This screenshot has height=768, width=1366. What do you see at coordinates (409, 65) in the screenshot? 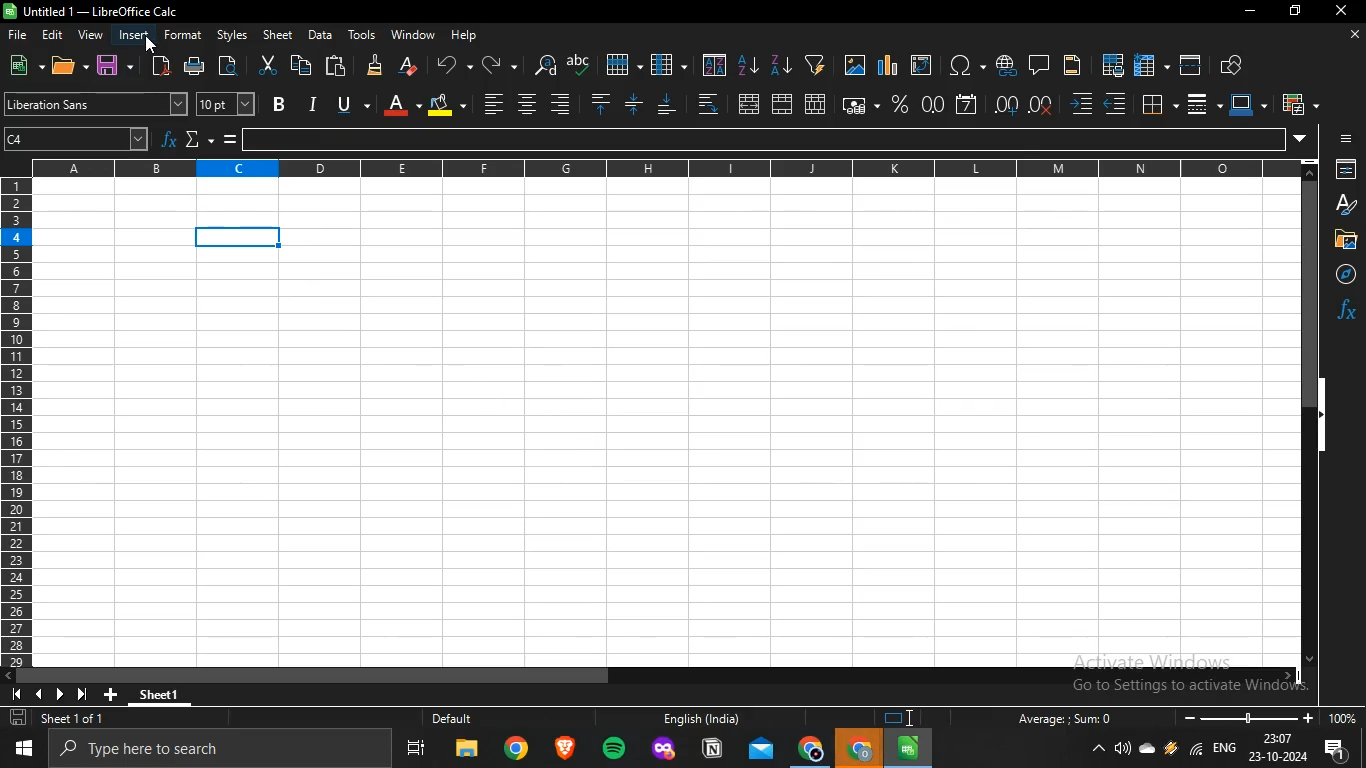
I see `clear direct formatting` at bounding box center [409, 65].